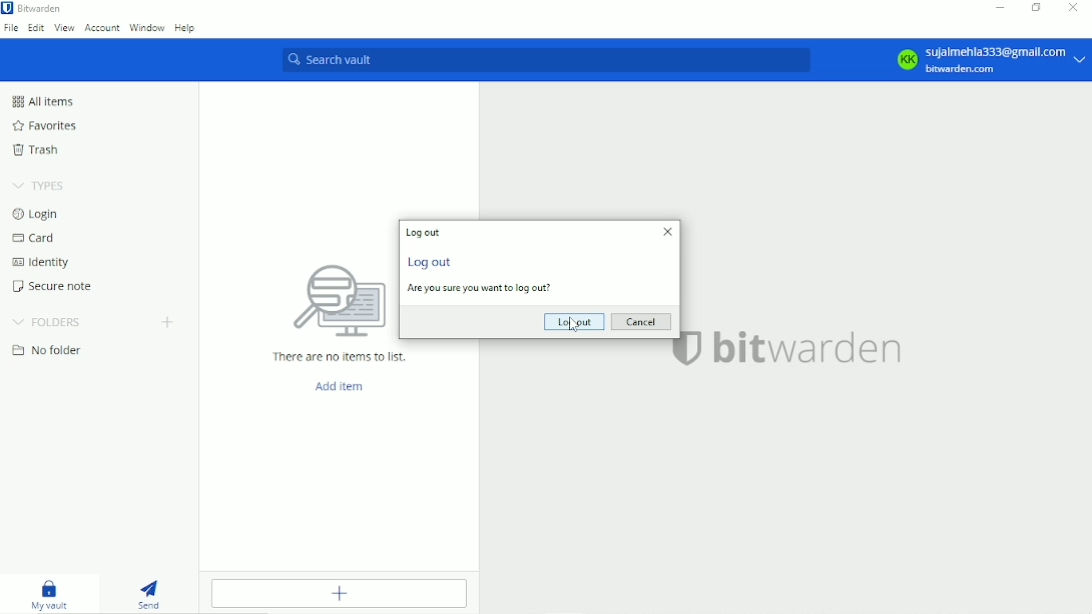 The width and height of the screenshot is (1092, 614). I want to click on Card, so click(39, 239).